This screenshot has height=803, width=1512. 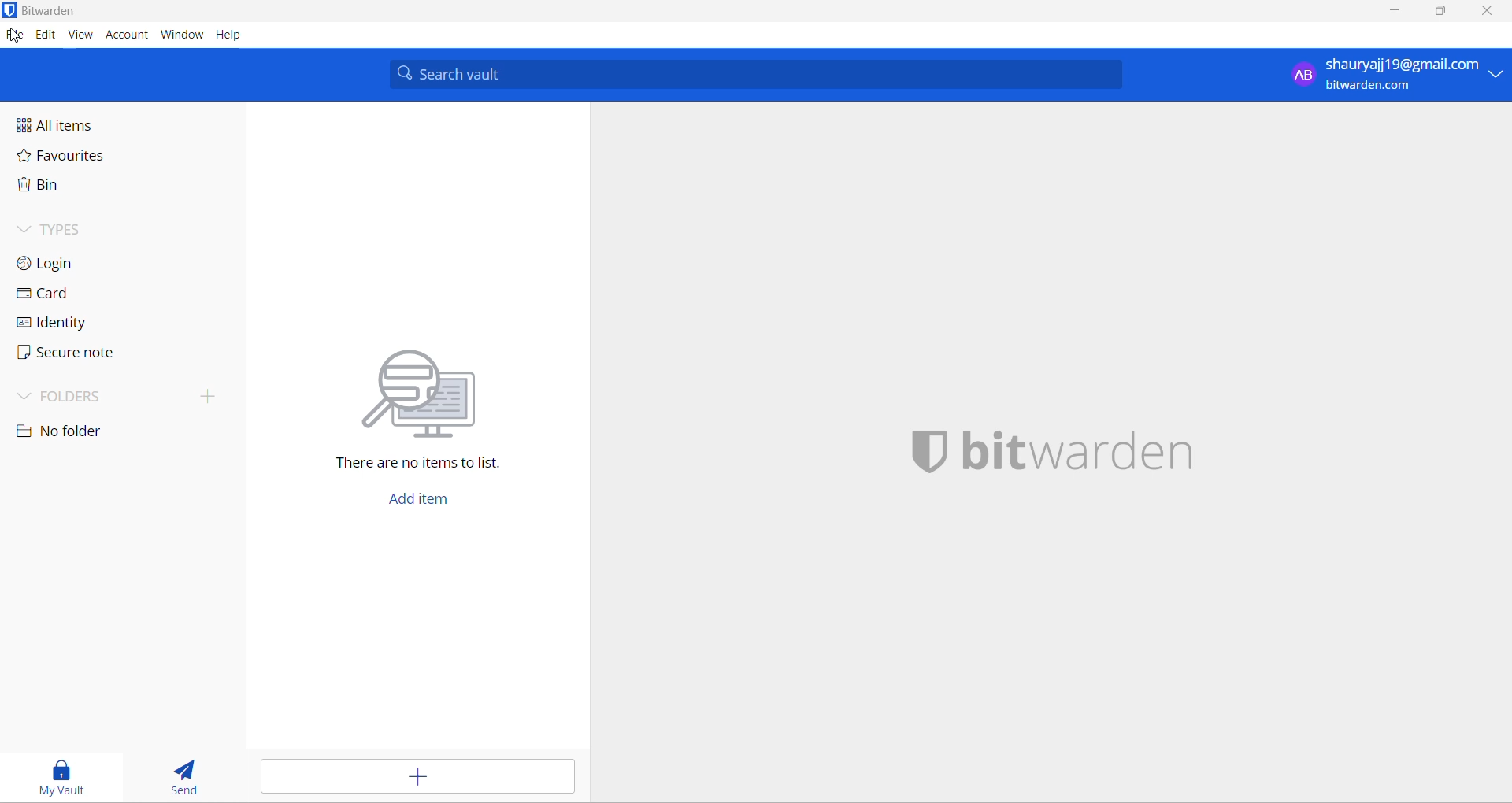 I want to click on add entry, so click(x=424, y=778).